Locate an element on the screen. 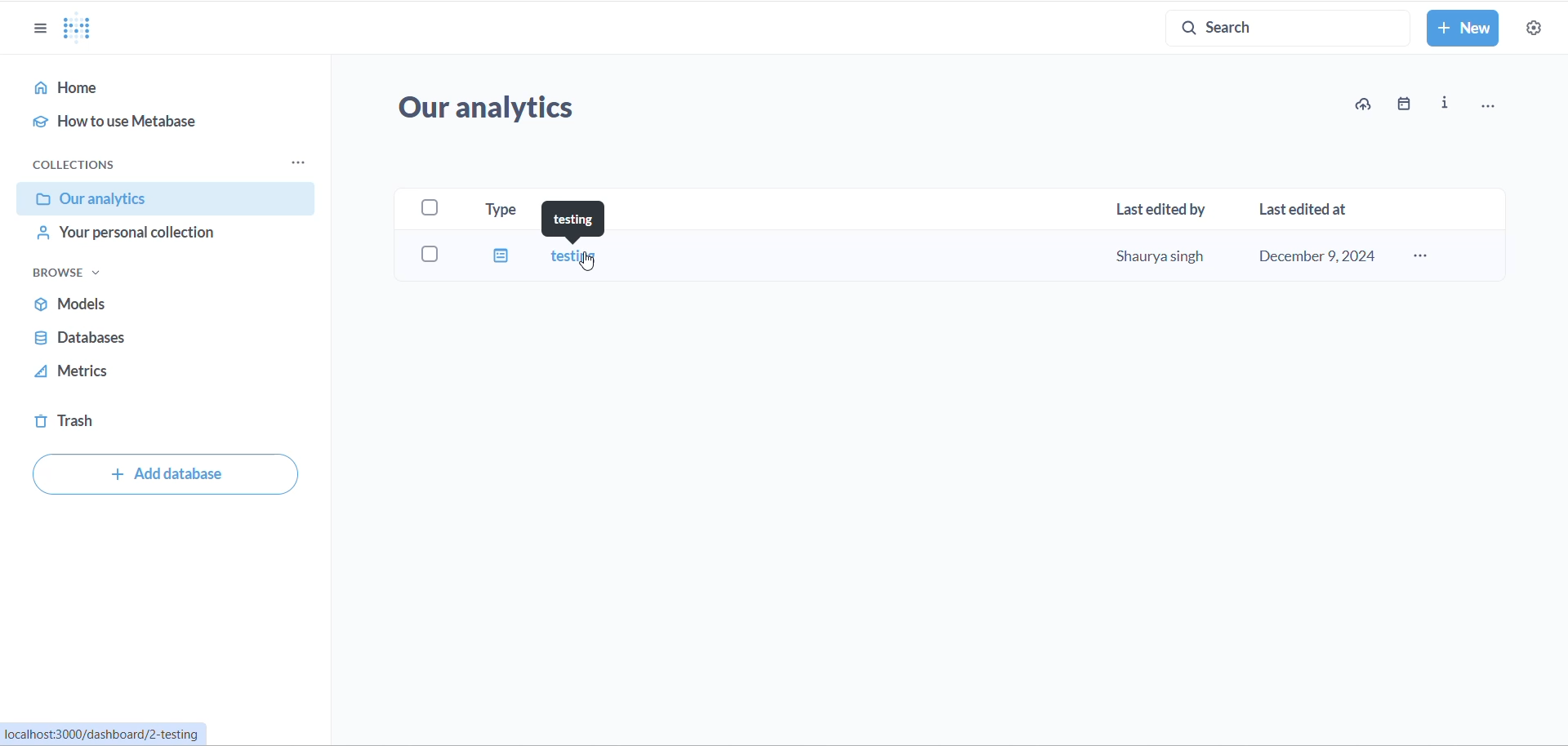 The height and width of the screenshot is (746, 1568). cursor is located at coordinates (590, 264).